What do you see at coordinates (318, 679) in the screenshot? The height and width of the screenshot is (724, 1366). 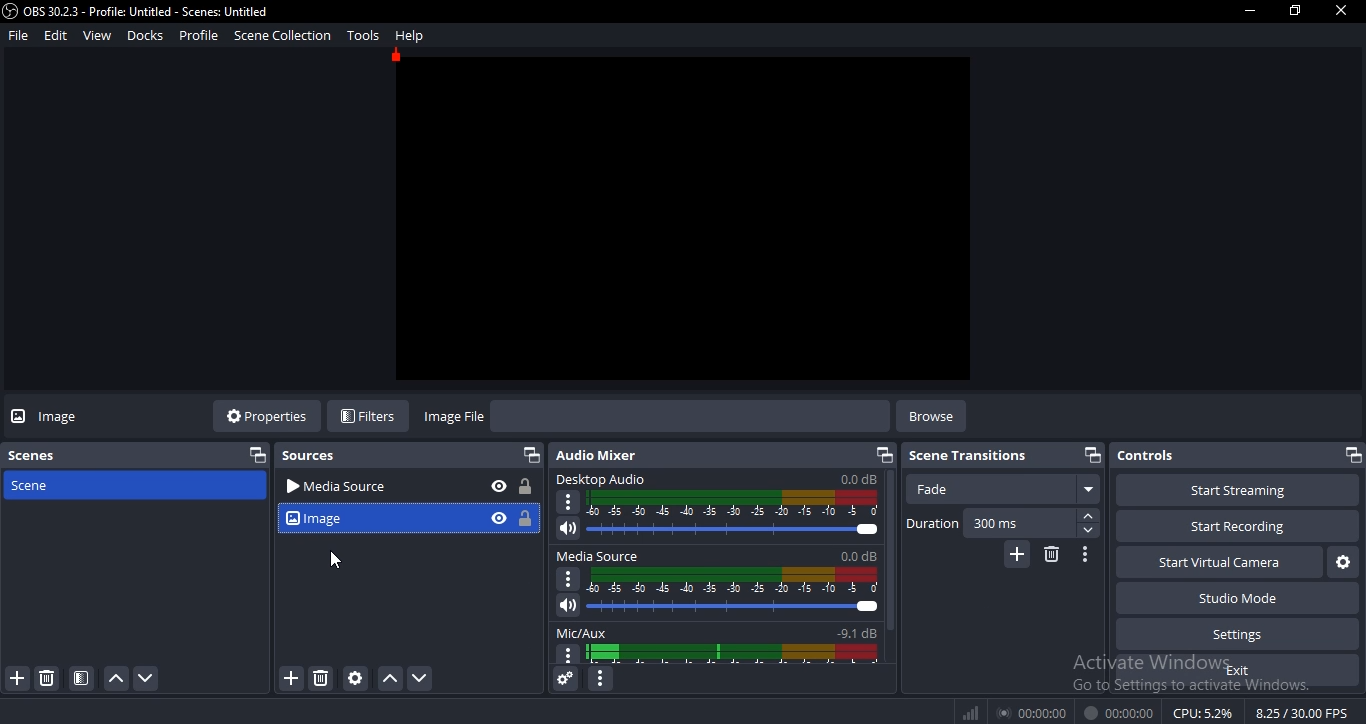 I see `remove sources` at bounding box center [318, 679].